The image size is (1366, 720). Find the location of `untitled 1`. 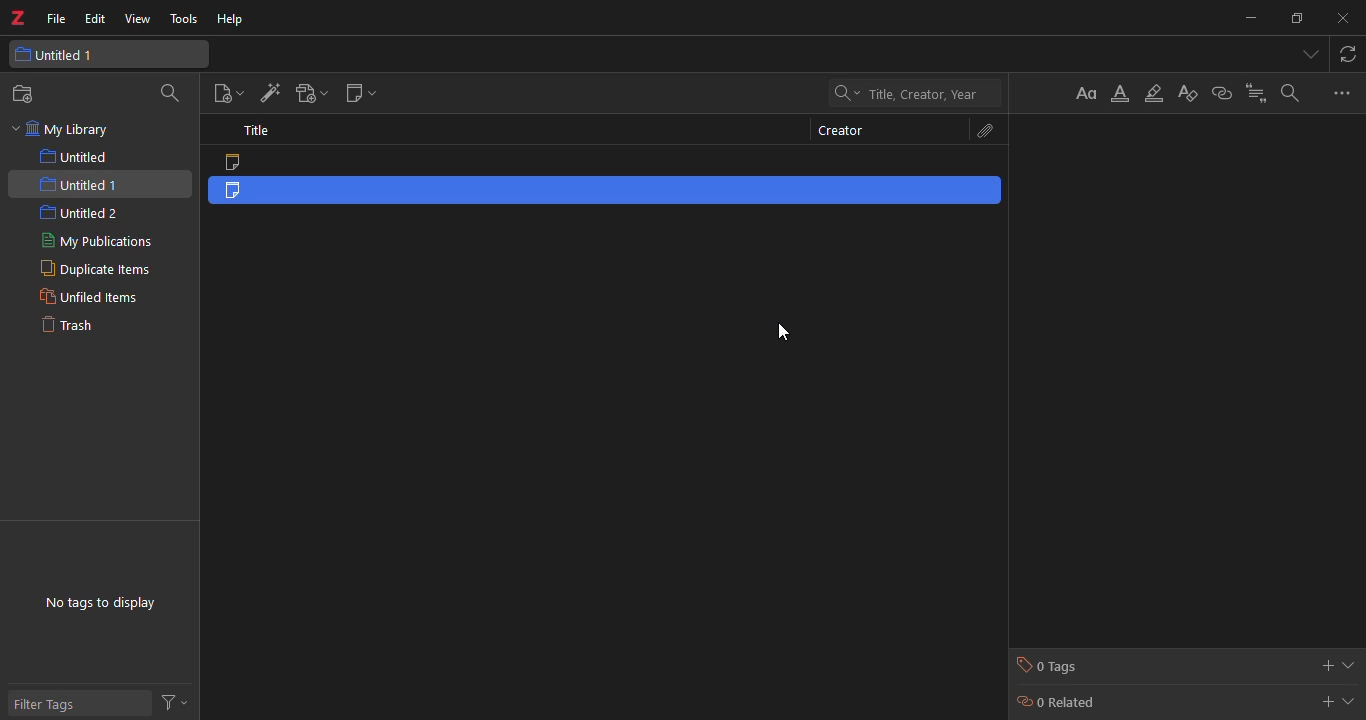

untitled 1 is located at coordinates (78, 187).